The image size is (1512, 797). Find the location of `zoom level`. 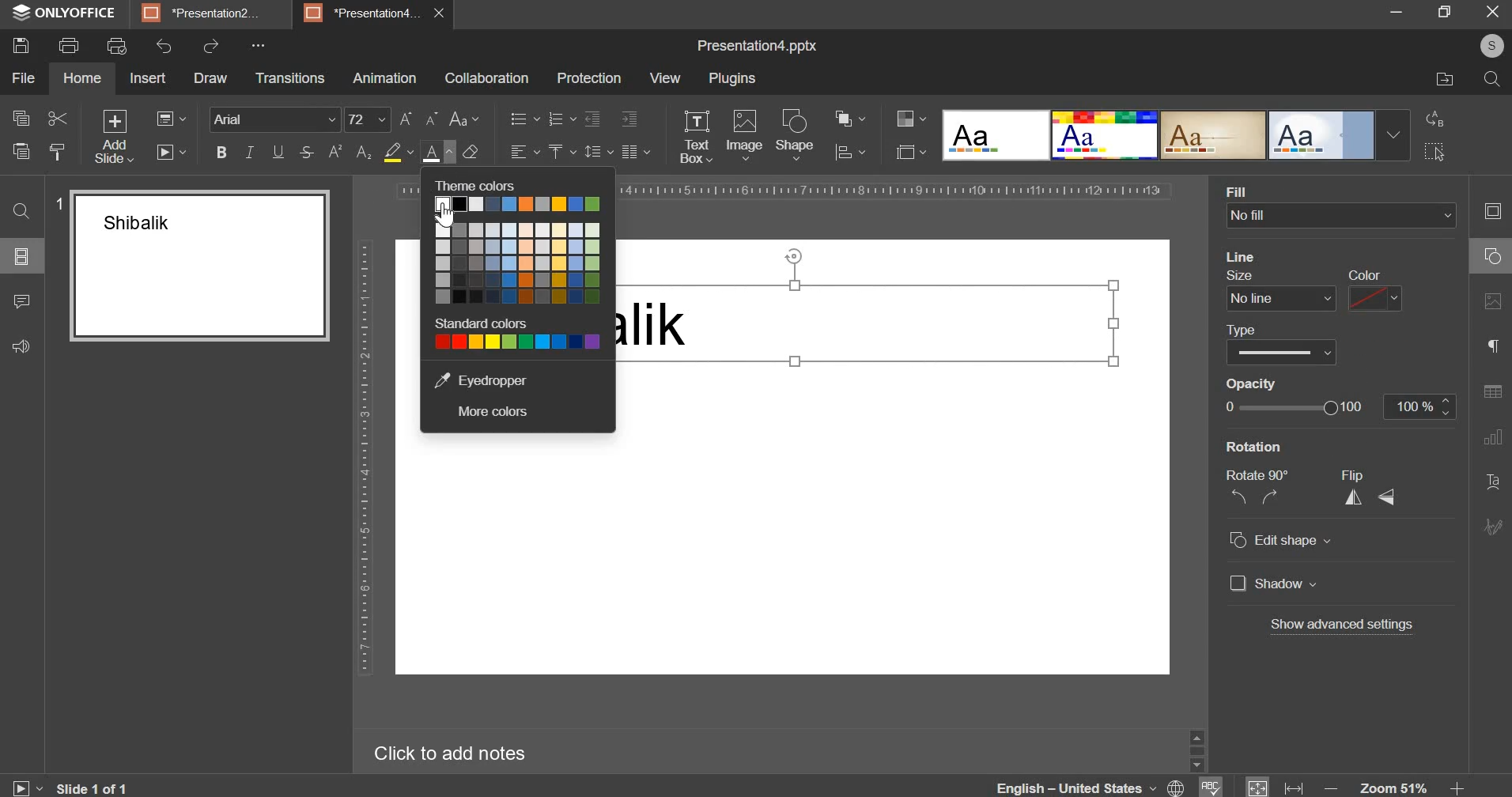

zoom level is located at coordinates (1393, 784).